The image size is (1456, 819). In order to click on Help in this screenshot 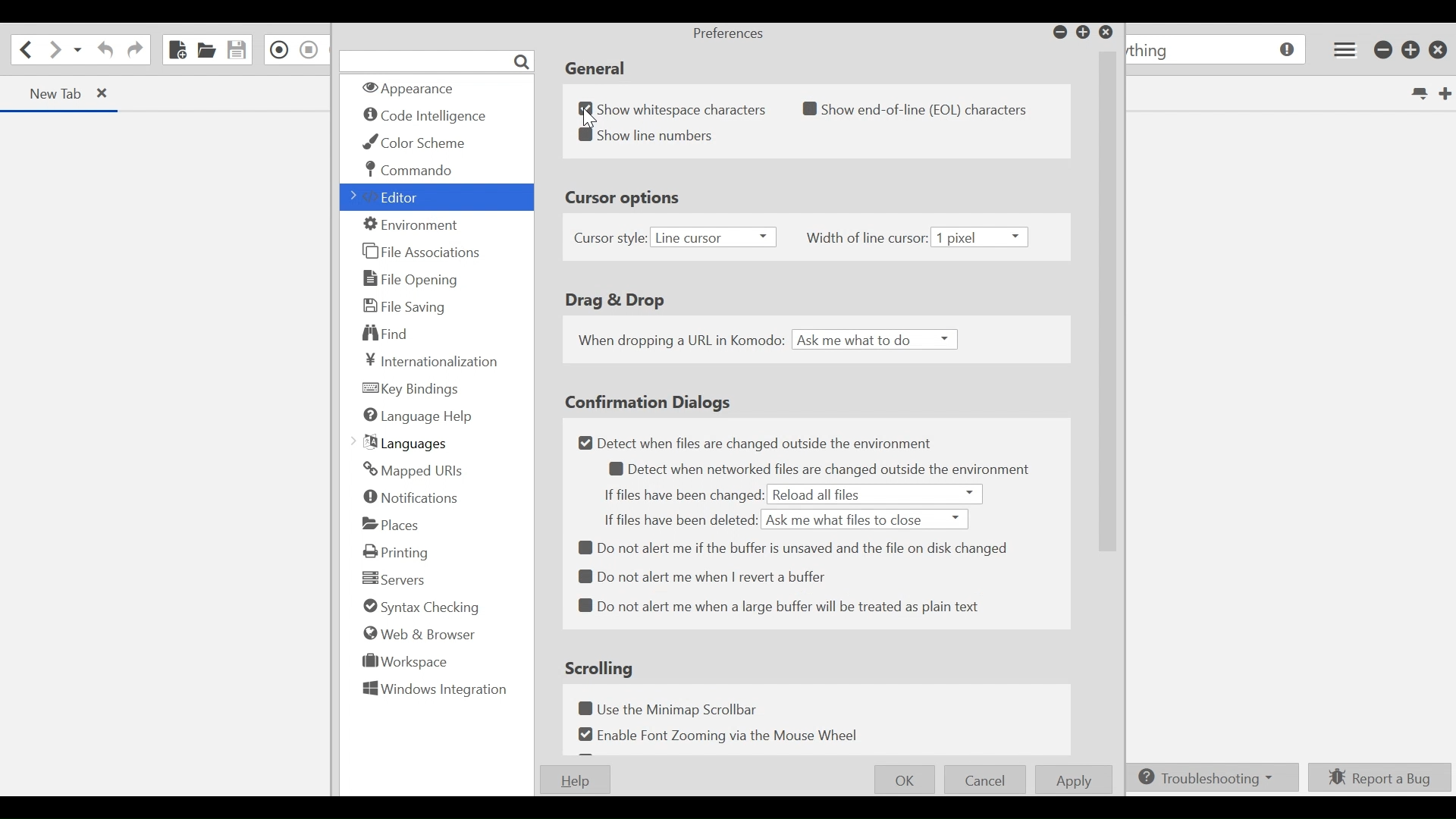, I will do `click(572, 780)`.